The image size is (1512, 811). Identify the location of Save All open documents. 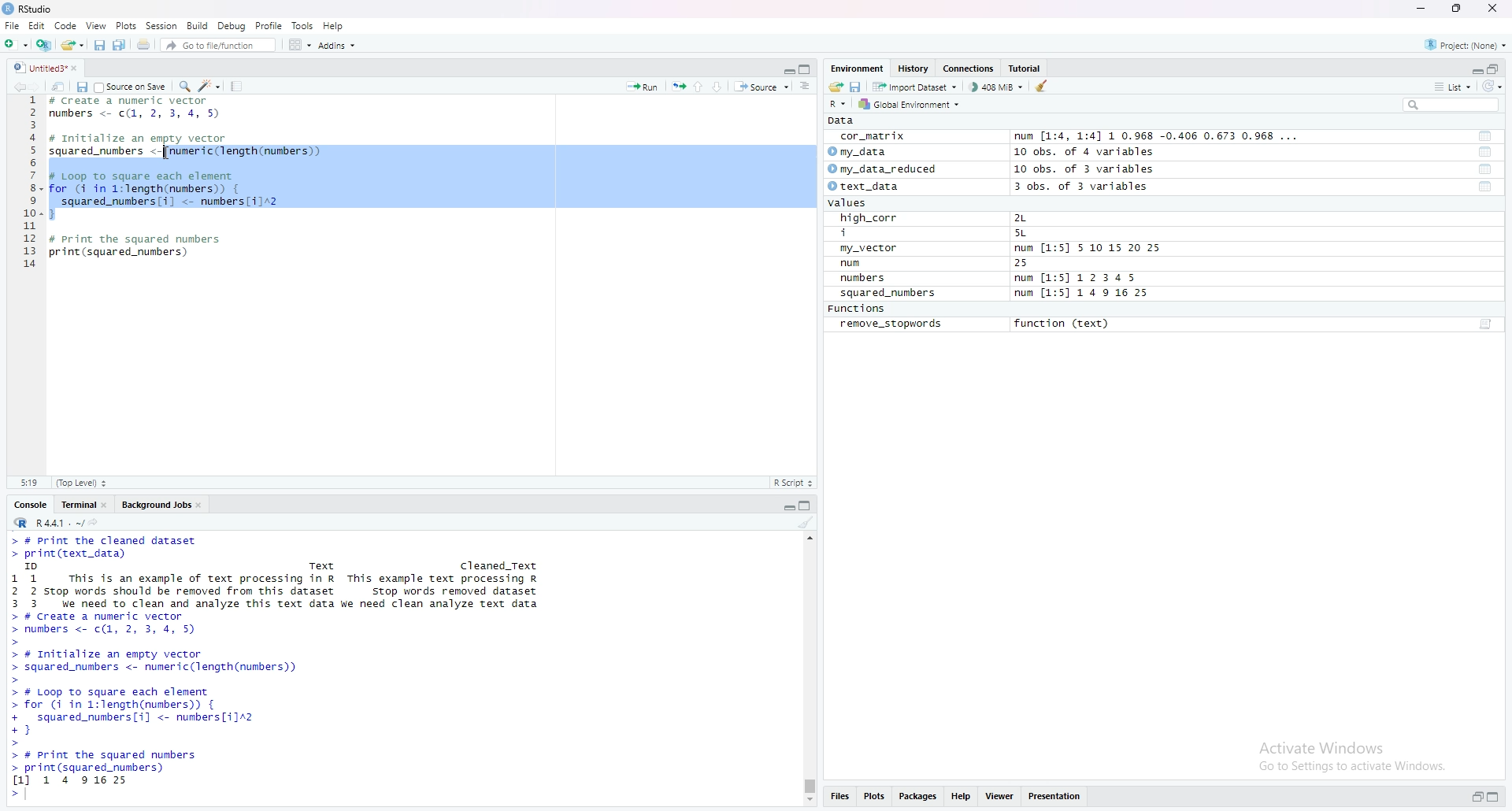
(120, 43).